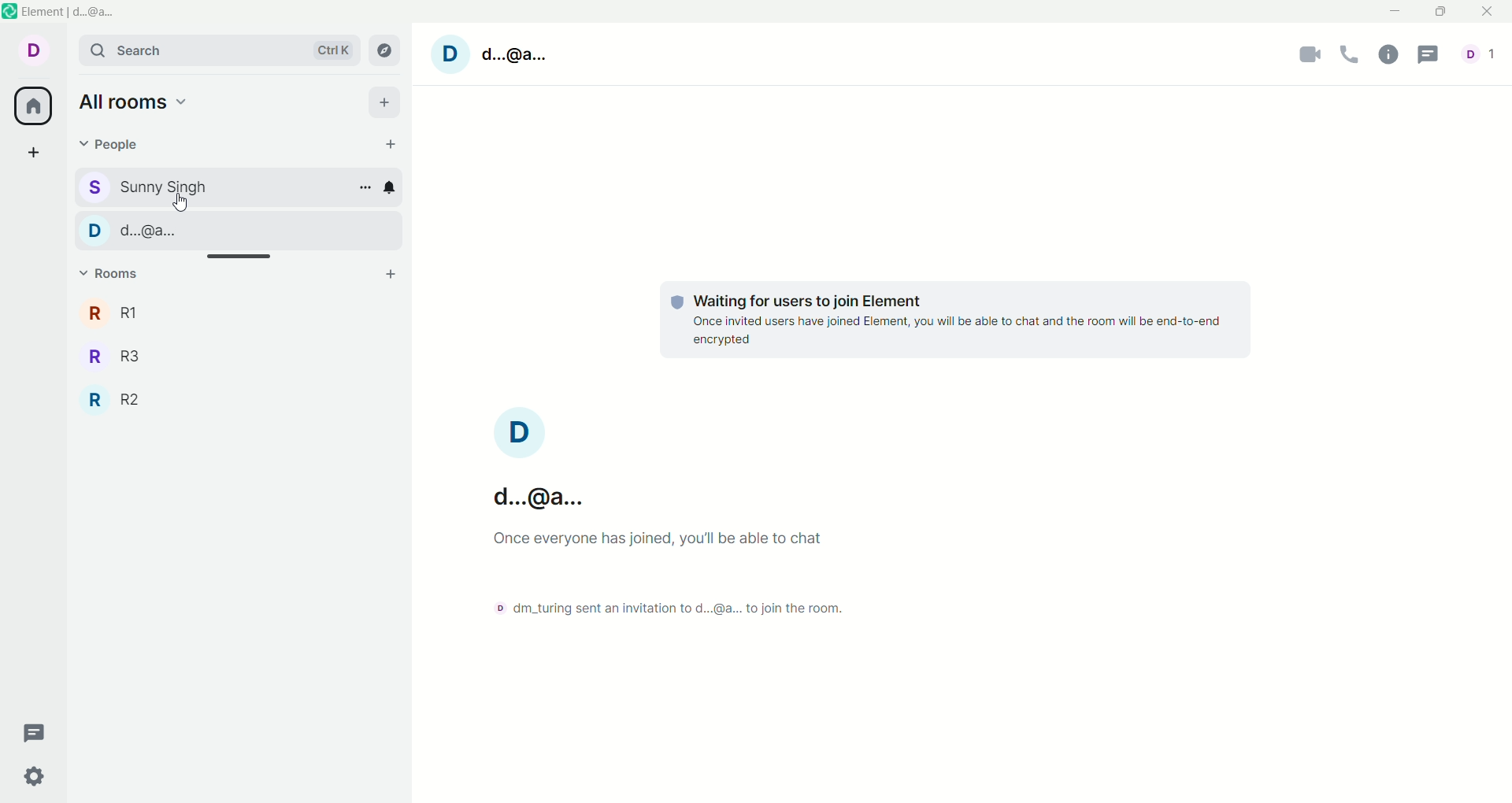  Describe the element at coordinates (726, 591) in the screenshot. I see `text` at that location.